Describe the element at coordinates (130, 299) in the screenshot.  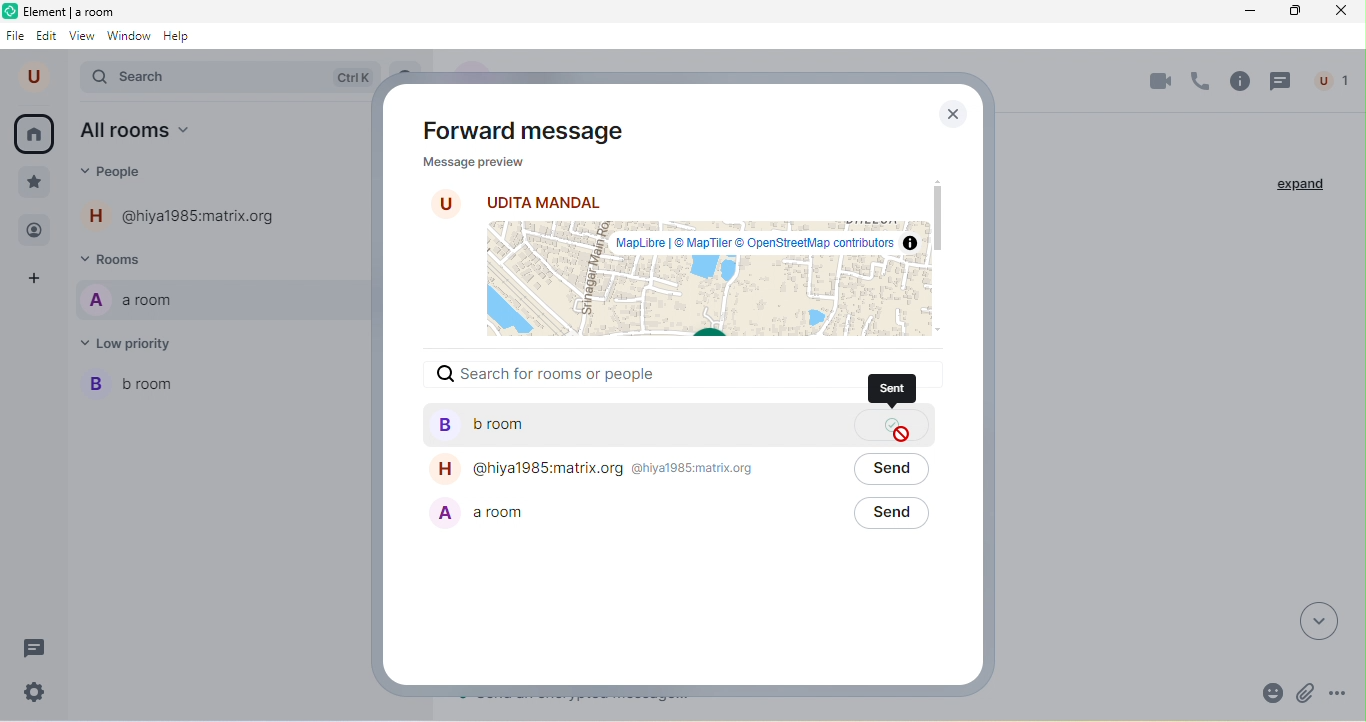
I see `a room` at that location.